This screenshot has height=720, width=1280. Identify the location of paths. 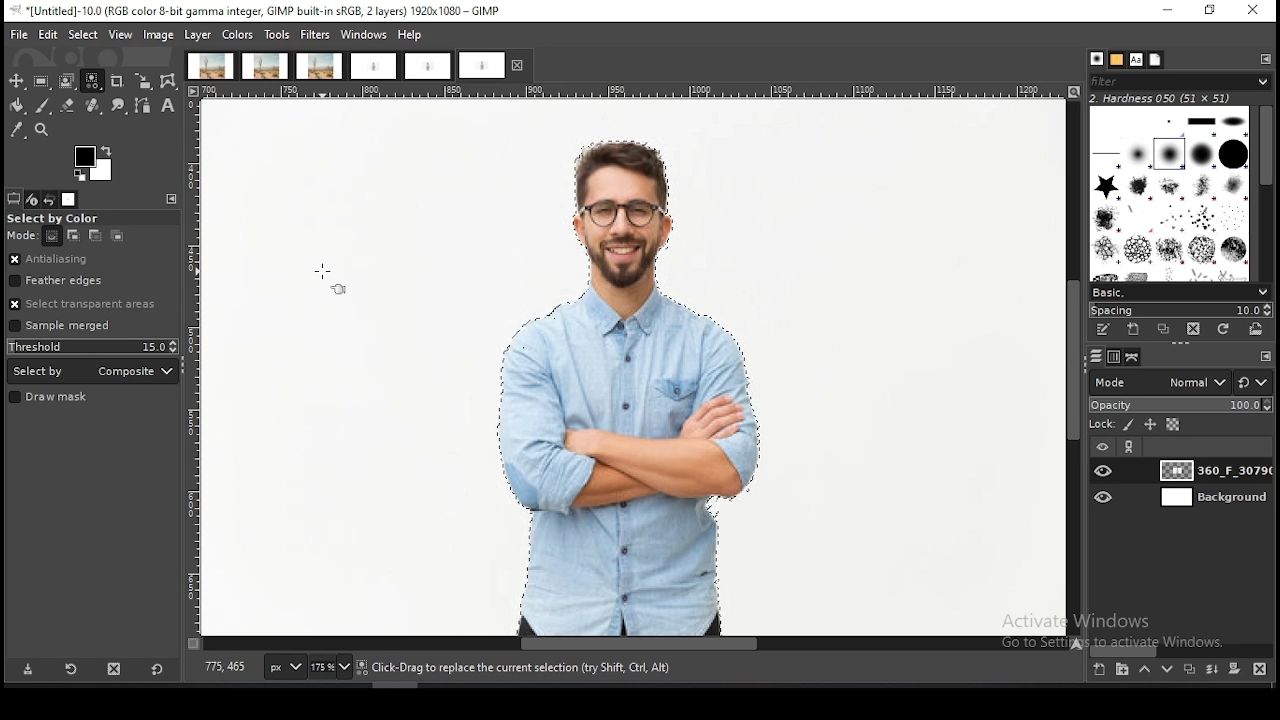
(1135, 357).